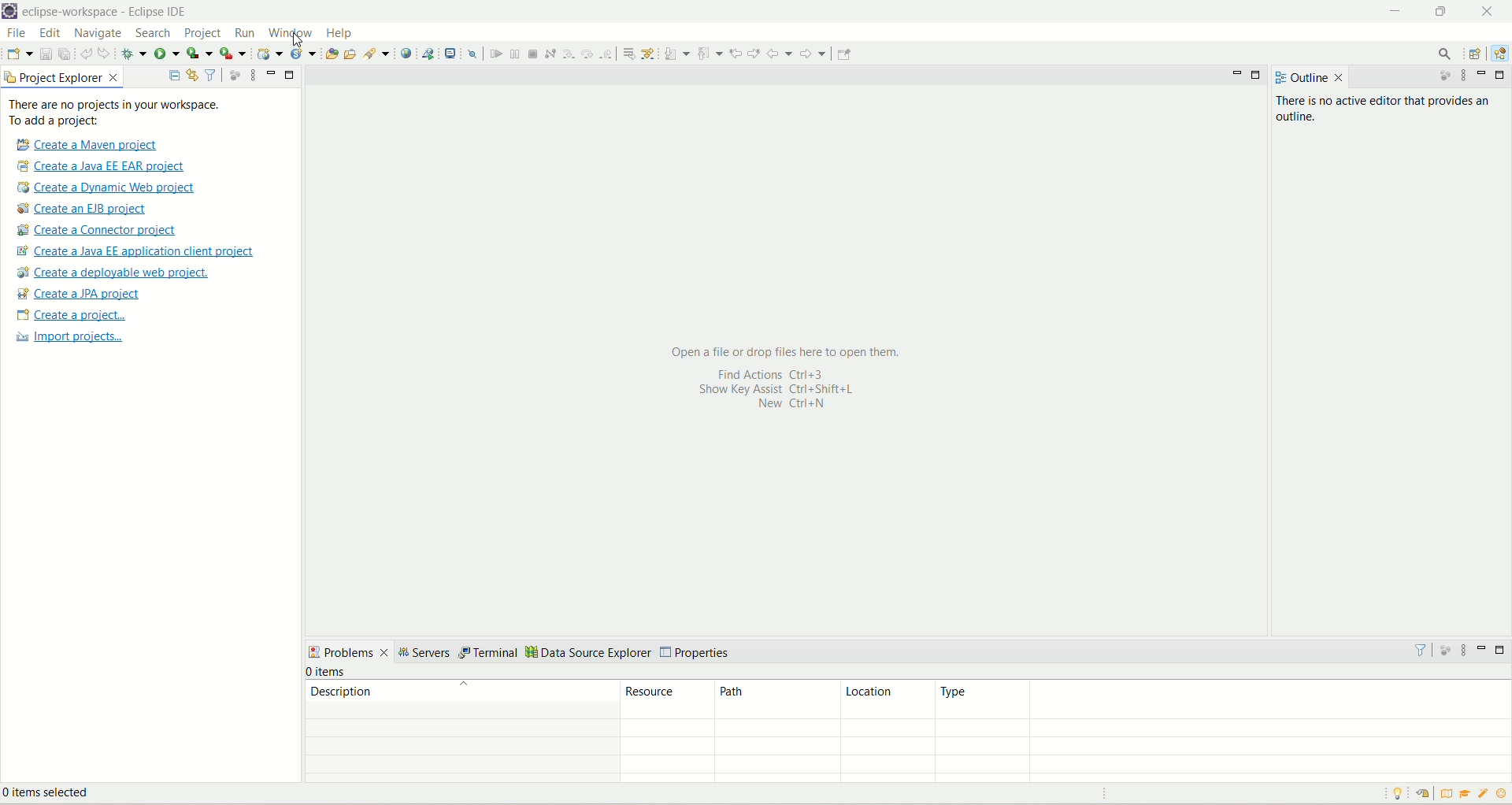 Image resolution: width=1512 pixels, height=805 pixels. Describe the element at coordinates (452, 52) in the screenshot. I see `open a terminal` at that location.